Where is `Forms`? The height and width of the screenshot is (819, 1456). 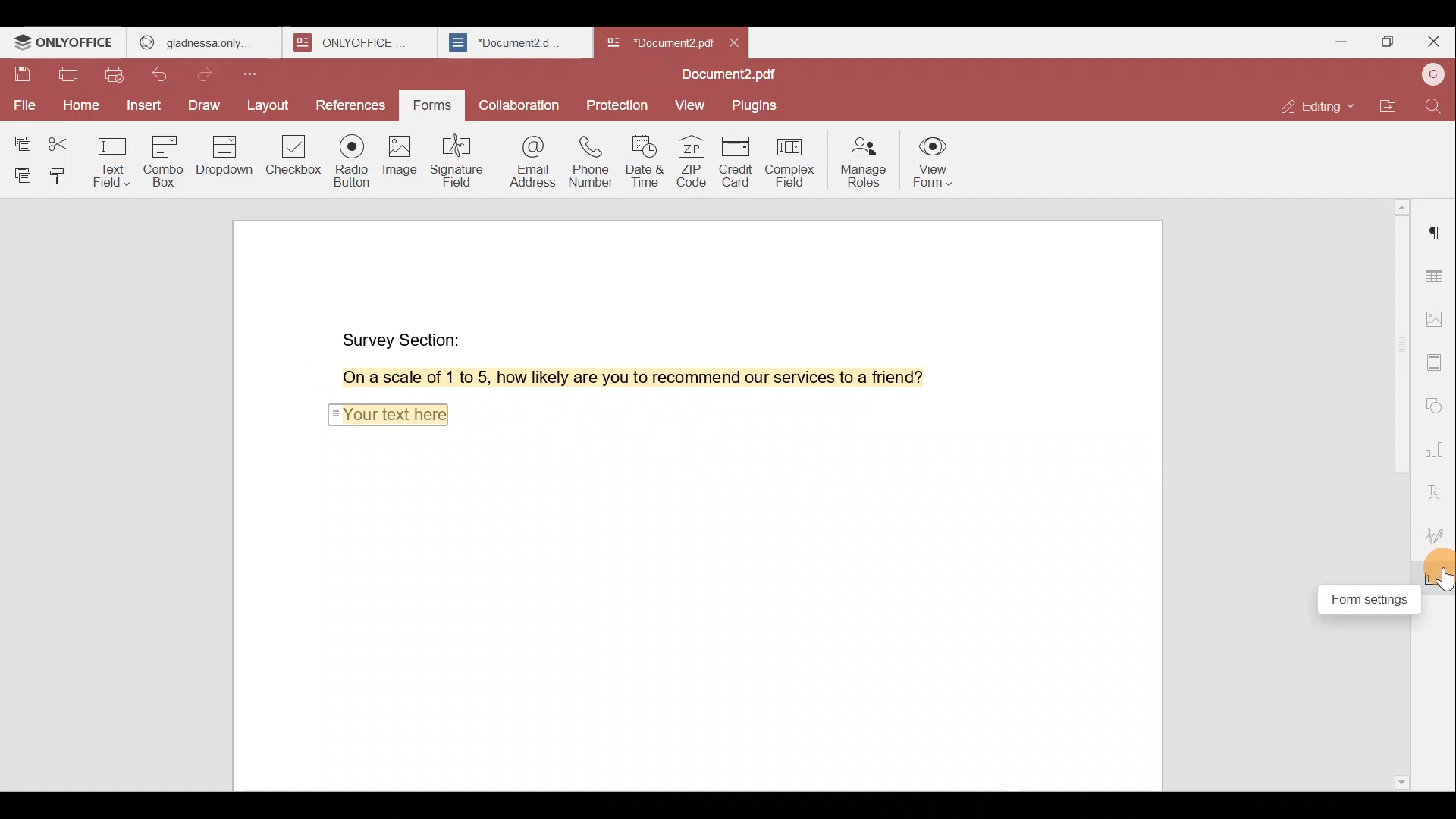
Forms is located at coordinates (434, 106).